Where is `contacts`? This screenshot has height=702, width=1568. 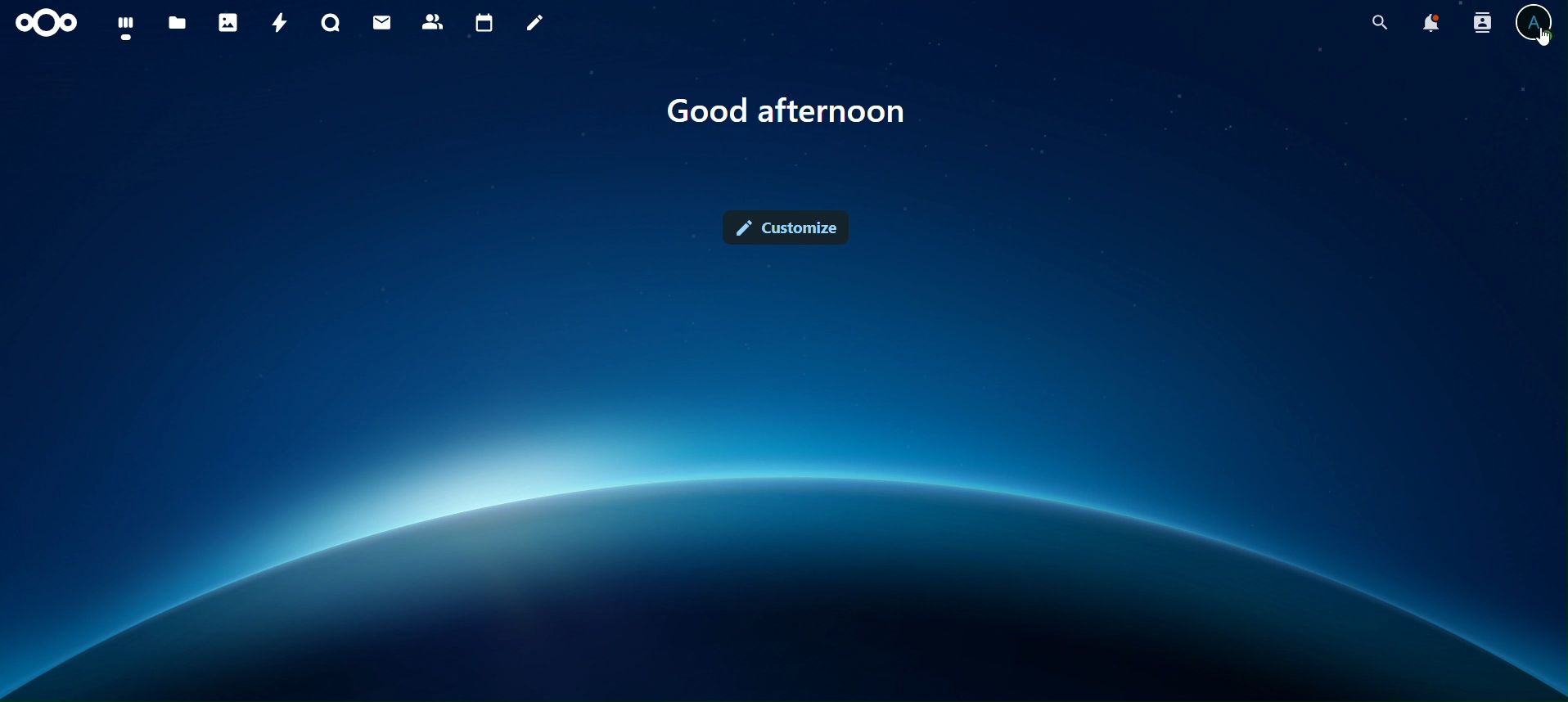 contacts is located at coordinates (436, 23).